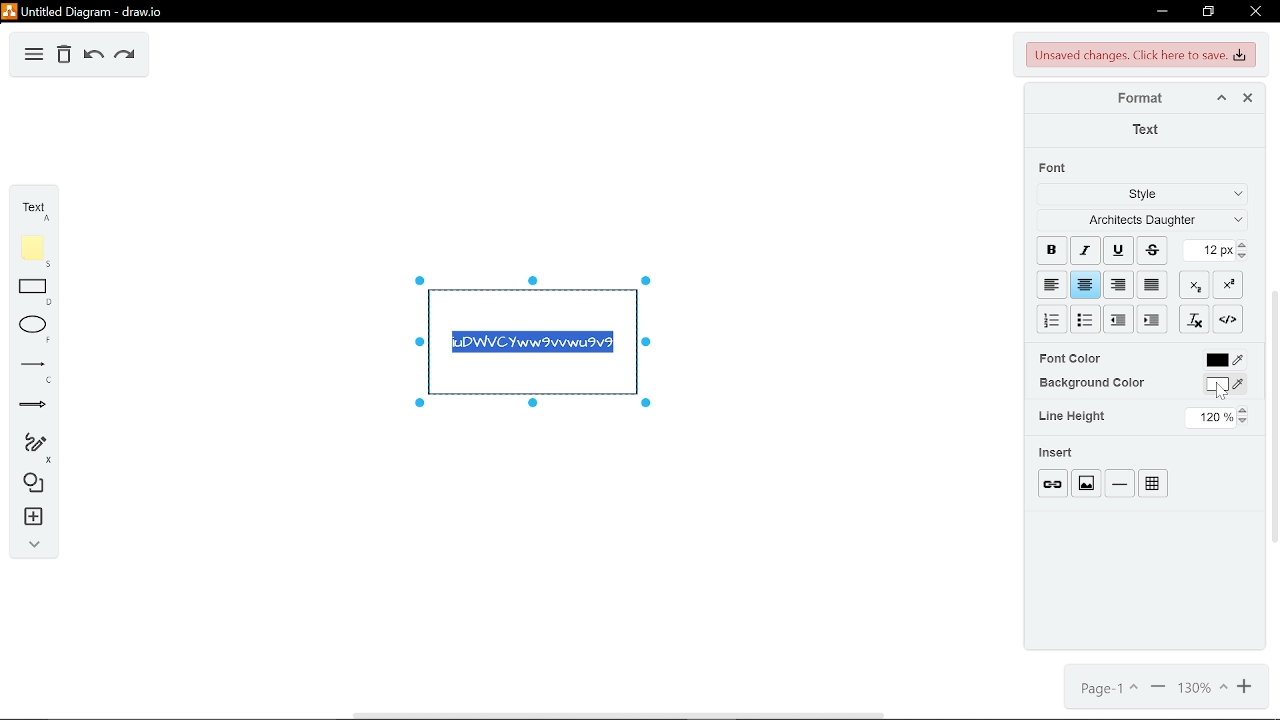  Describe the element at coordinates (1118, 483) in the screenshot. I see `insert horizontal rule` at that location.